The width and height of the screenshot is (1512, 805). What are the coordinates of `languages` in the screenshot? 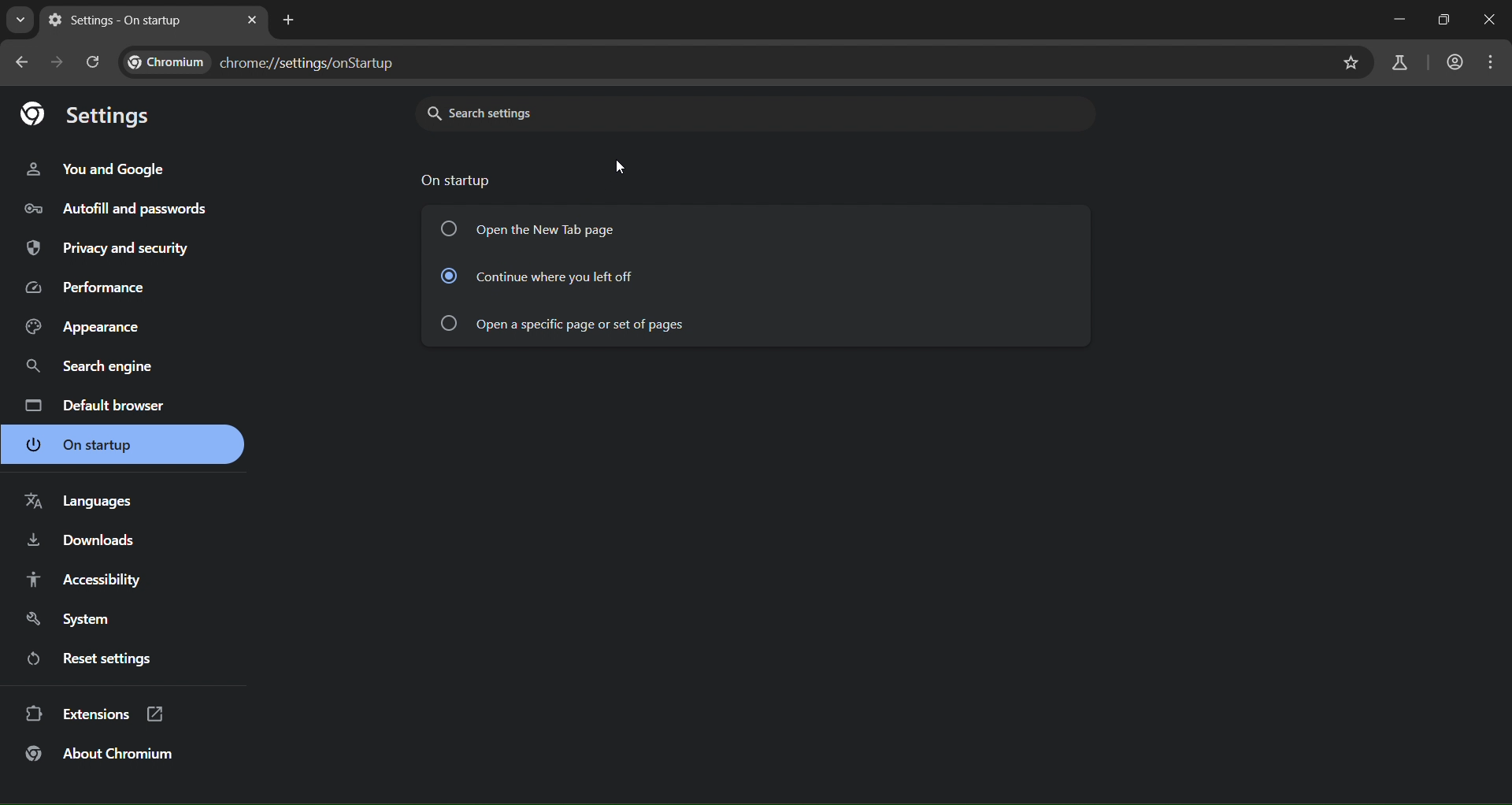 It's located at (79, 503).